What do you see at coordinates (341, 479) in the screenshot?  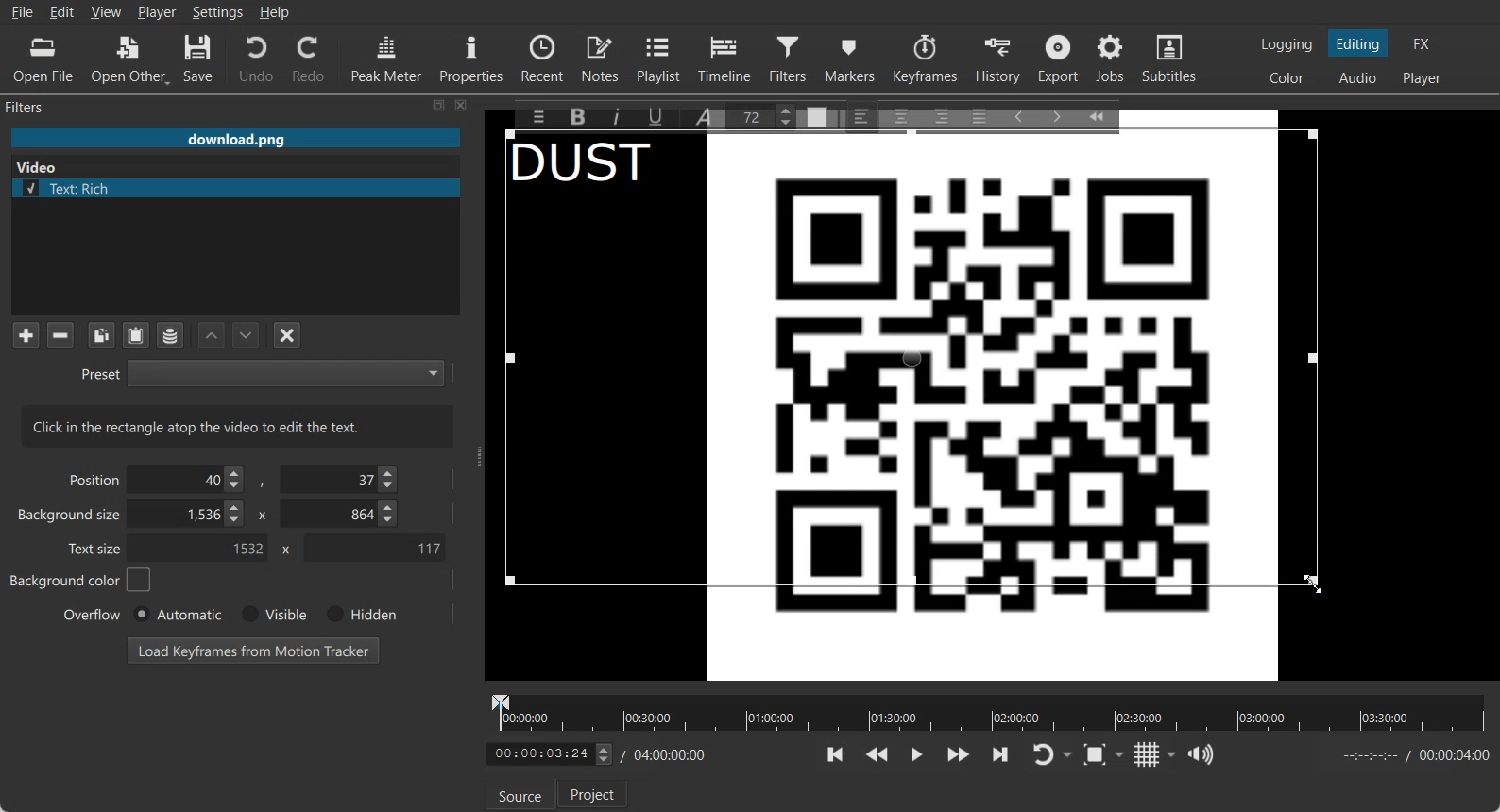 I see `Position Y- Coordinate` at bounding box center [341, 479].